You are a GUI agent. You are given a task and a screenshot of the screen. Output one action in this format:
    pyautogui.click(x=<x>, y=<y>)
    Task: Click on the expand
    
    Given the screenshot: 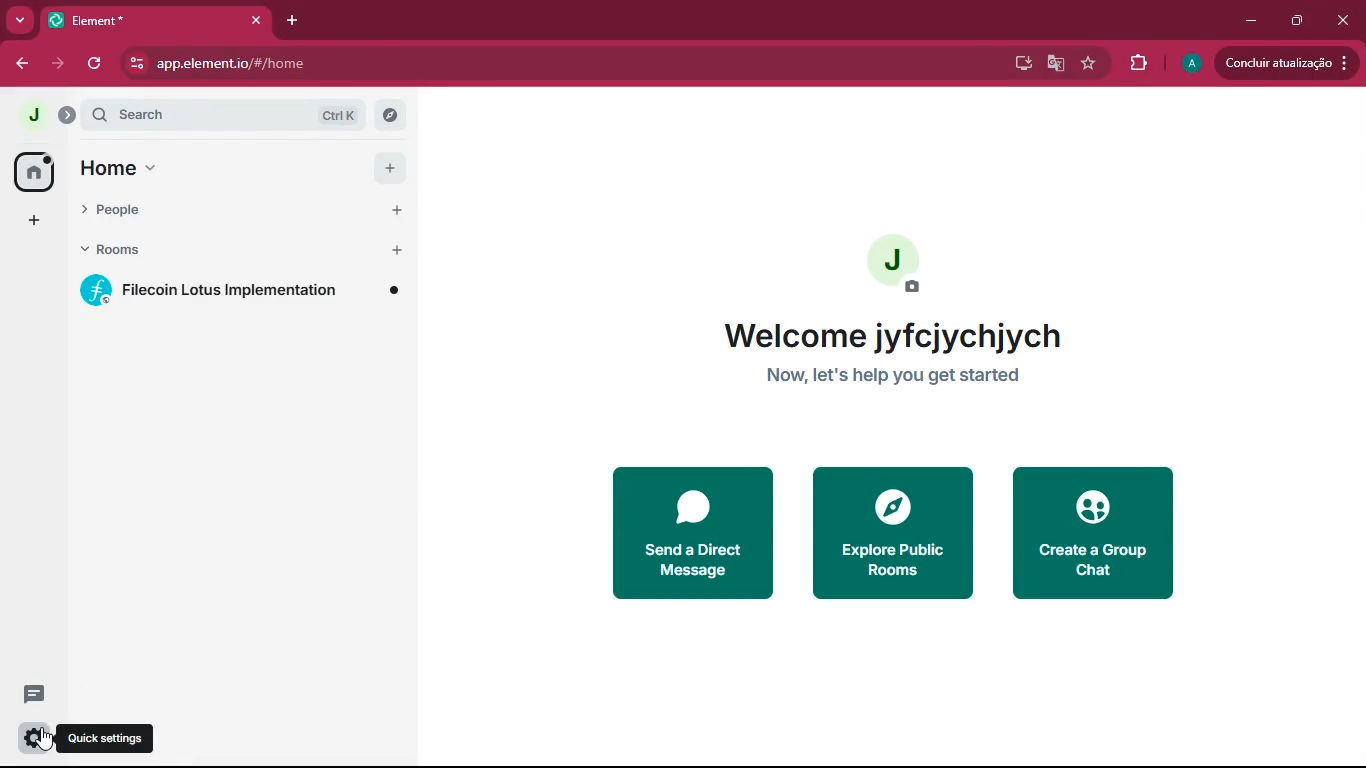 What is the action you would take?
    pyautogui.click(x=66, y=114)
    